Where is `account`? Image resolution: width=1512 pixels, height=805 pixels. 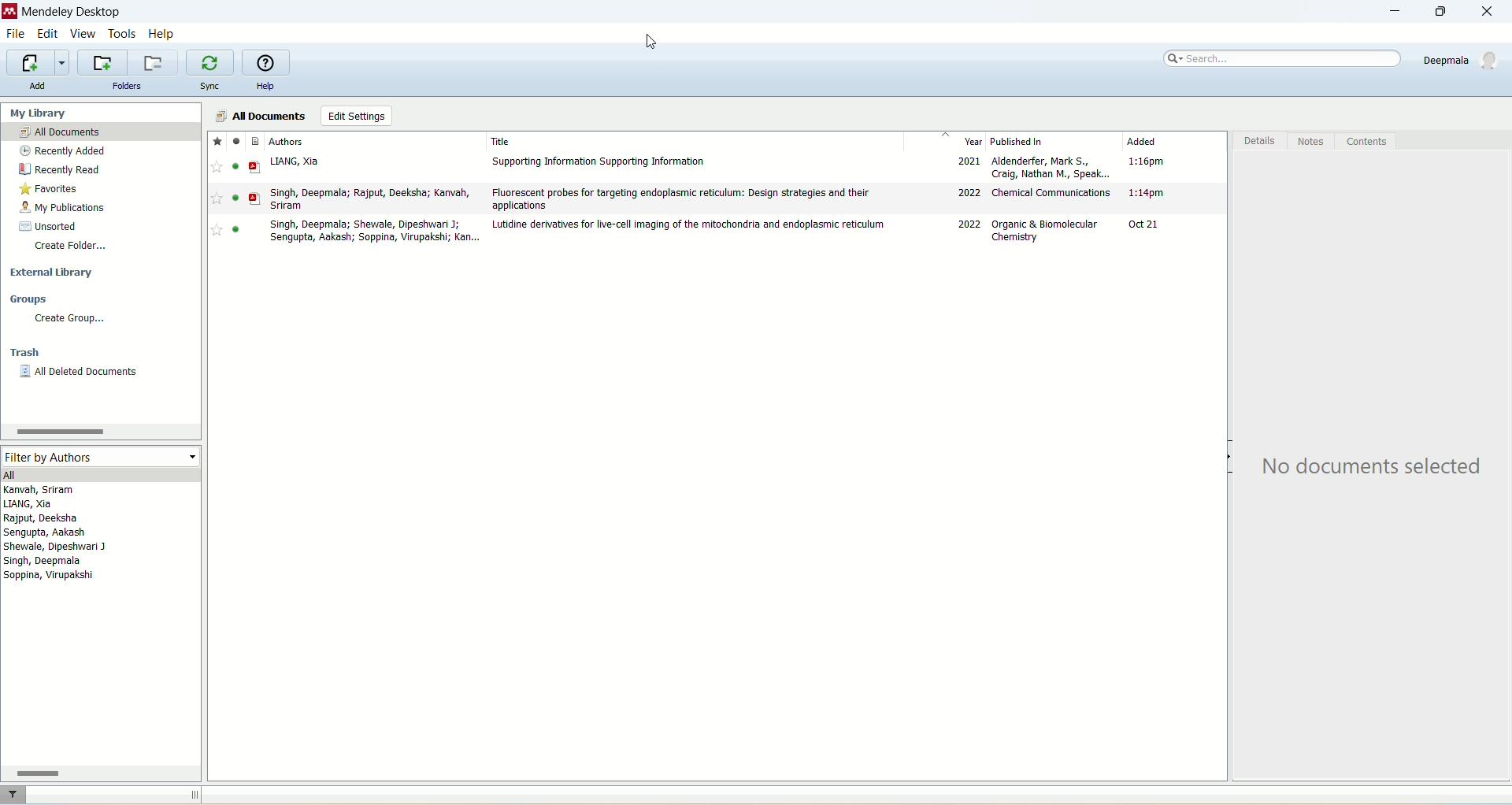
account is located at coordinates (1461, 57).